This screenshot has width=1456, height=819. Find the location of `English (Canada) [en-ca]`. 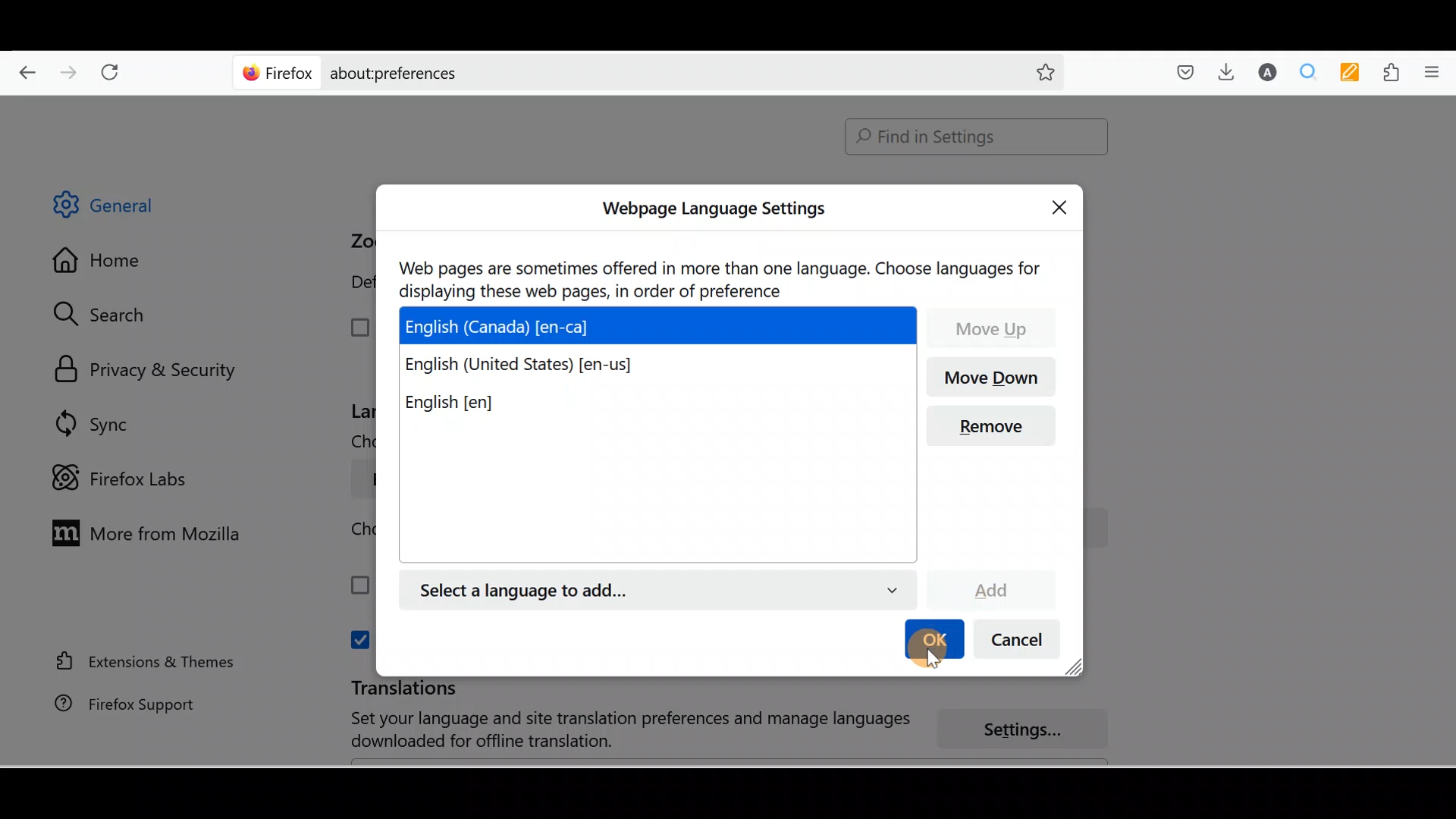

English (Canada) [en-ca] is located at coordinates (654, 330).